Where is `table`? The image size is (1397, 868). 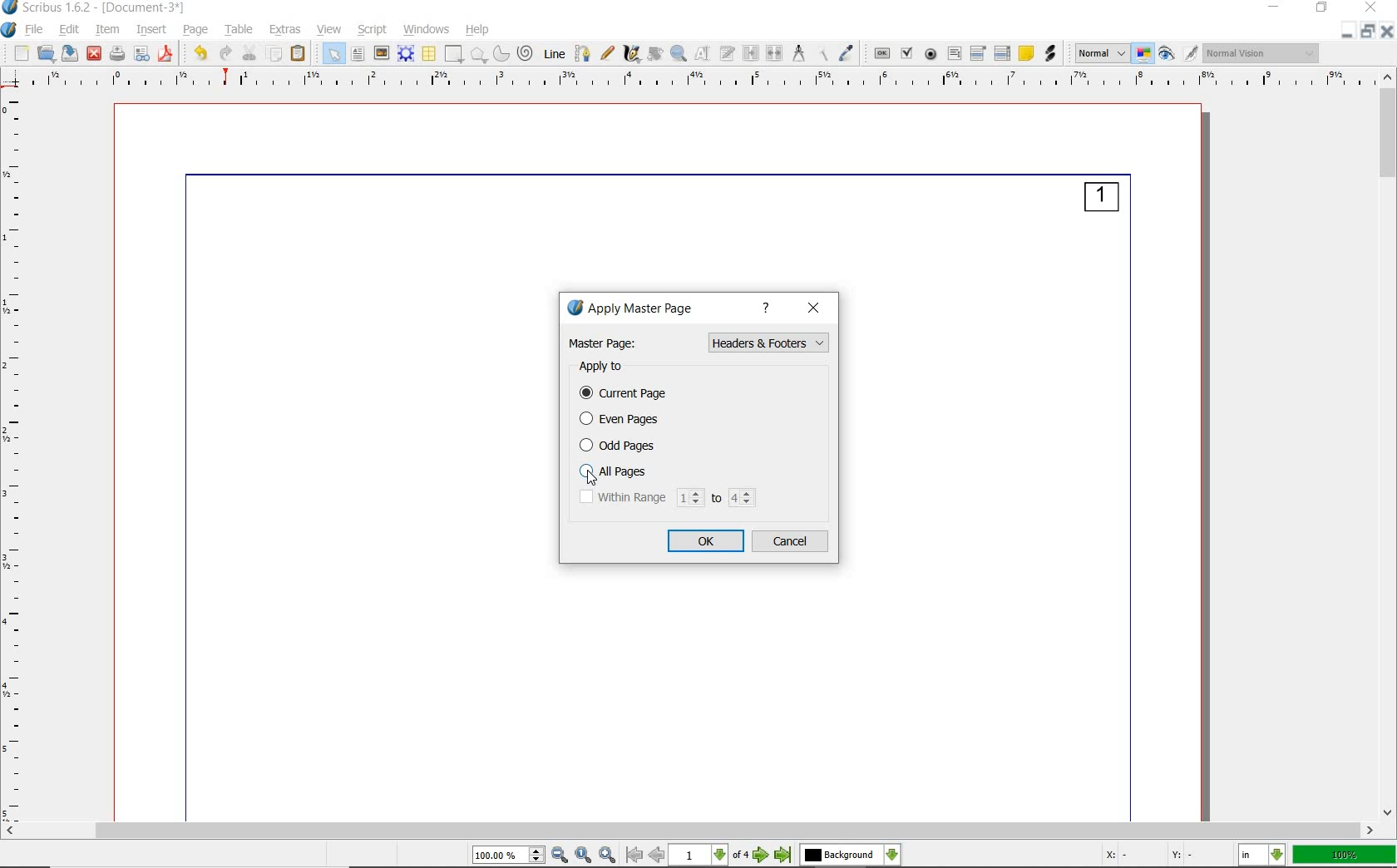 table is located at coordinates (239, 29).